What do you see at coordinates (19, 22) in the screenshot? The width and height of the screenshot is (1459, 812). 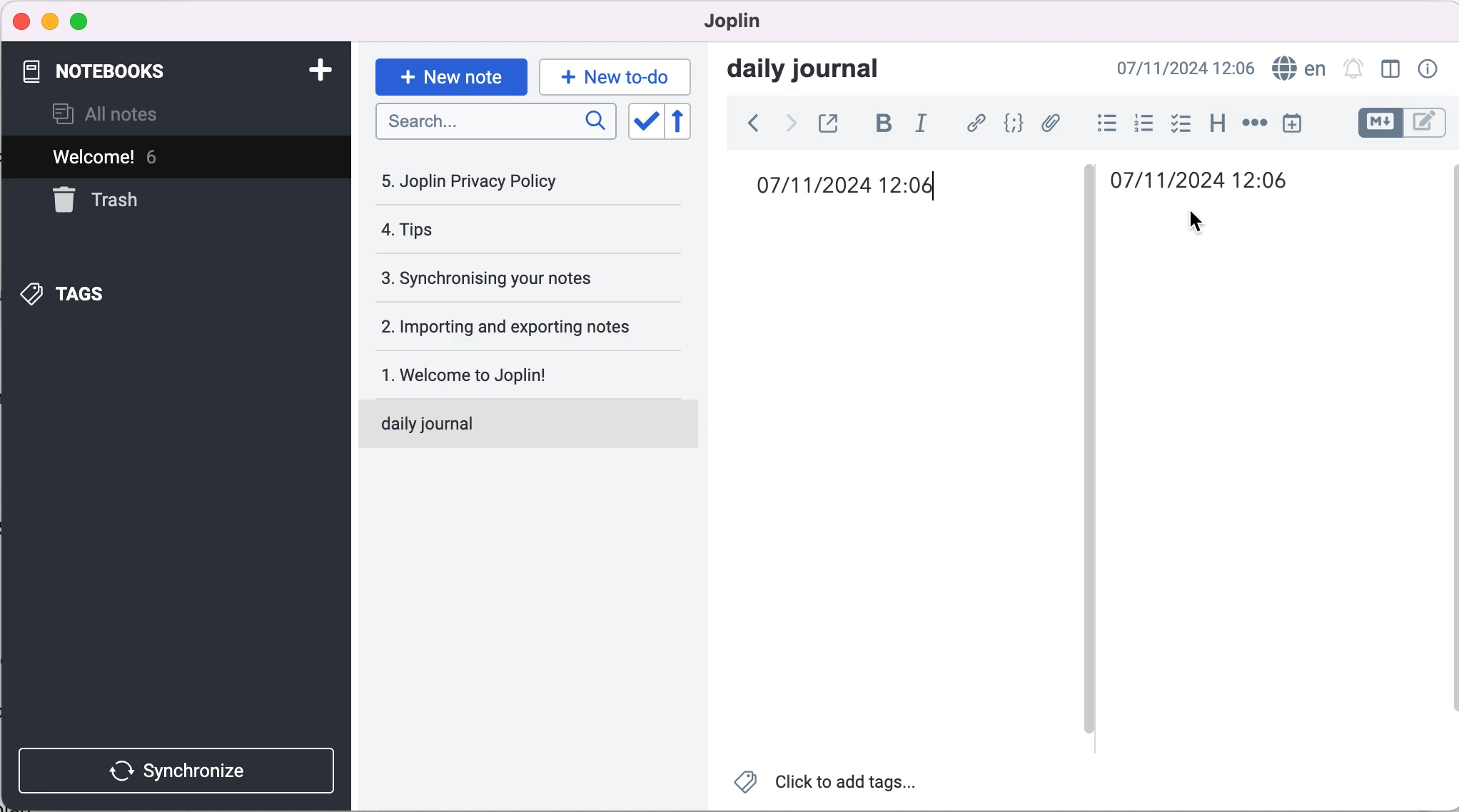 I see `close` at bounding box center [19, 22].